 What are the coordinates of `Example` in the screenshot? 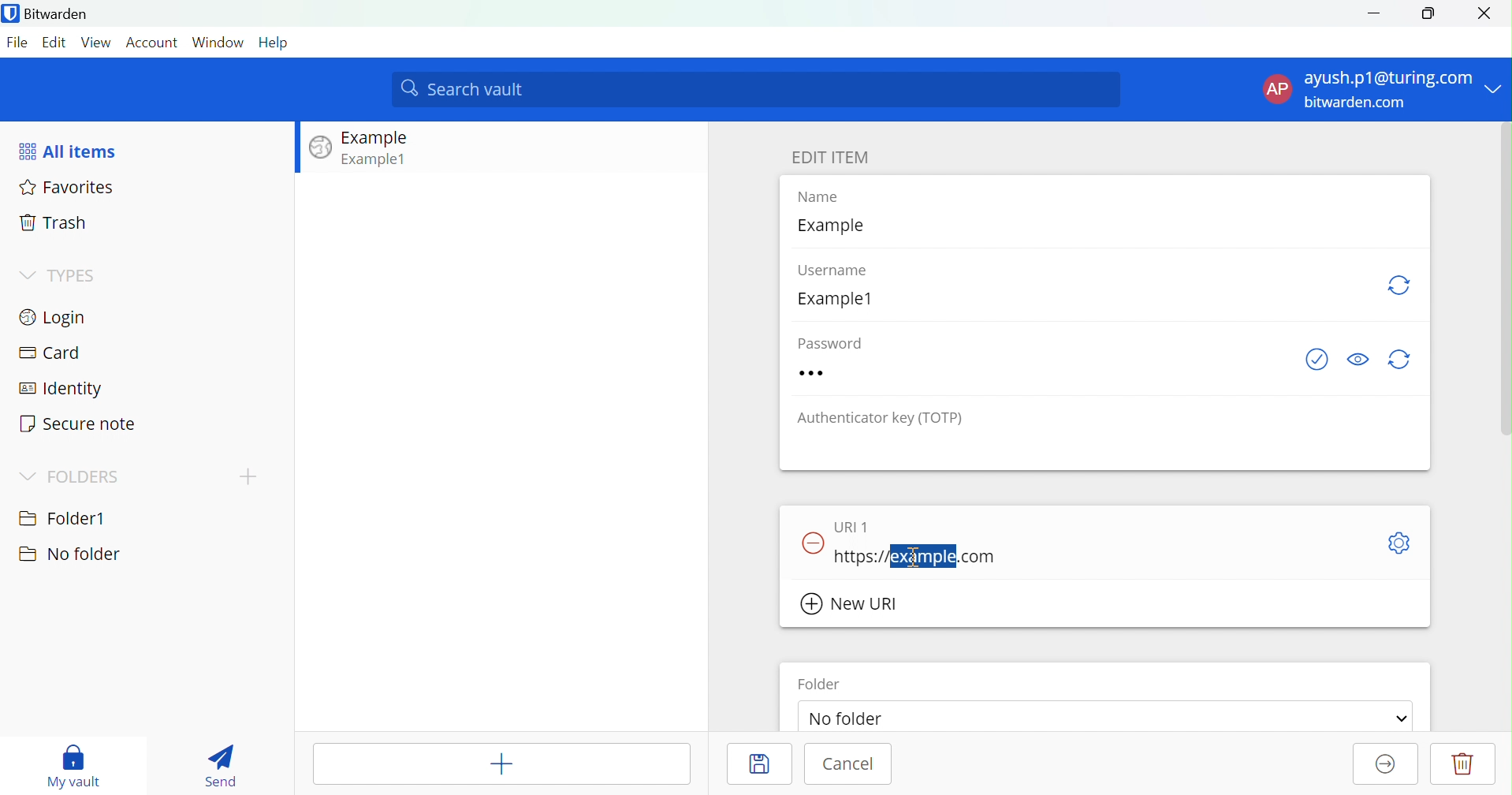 It's located at (836, 226).